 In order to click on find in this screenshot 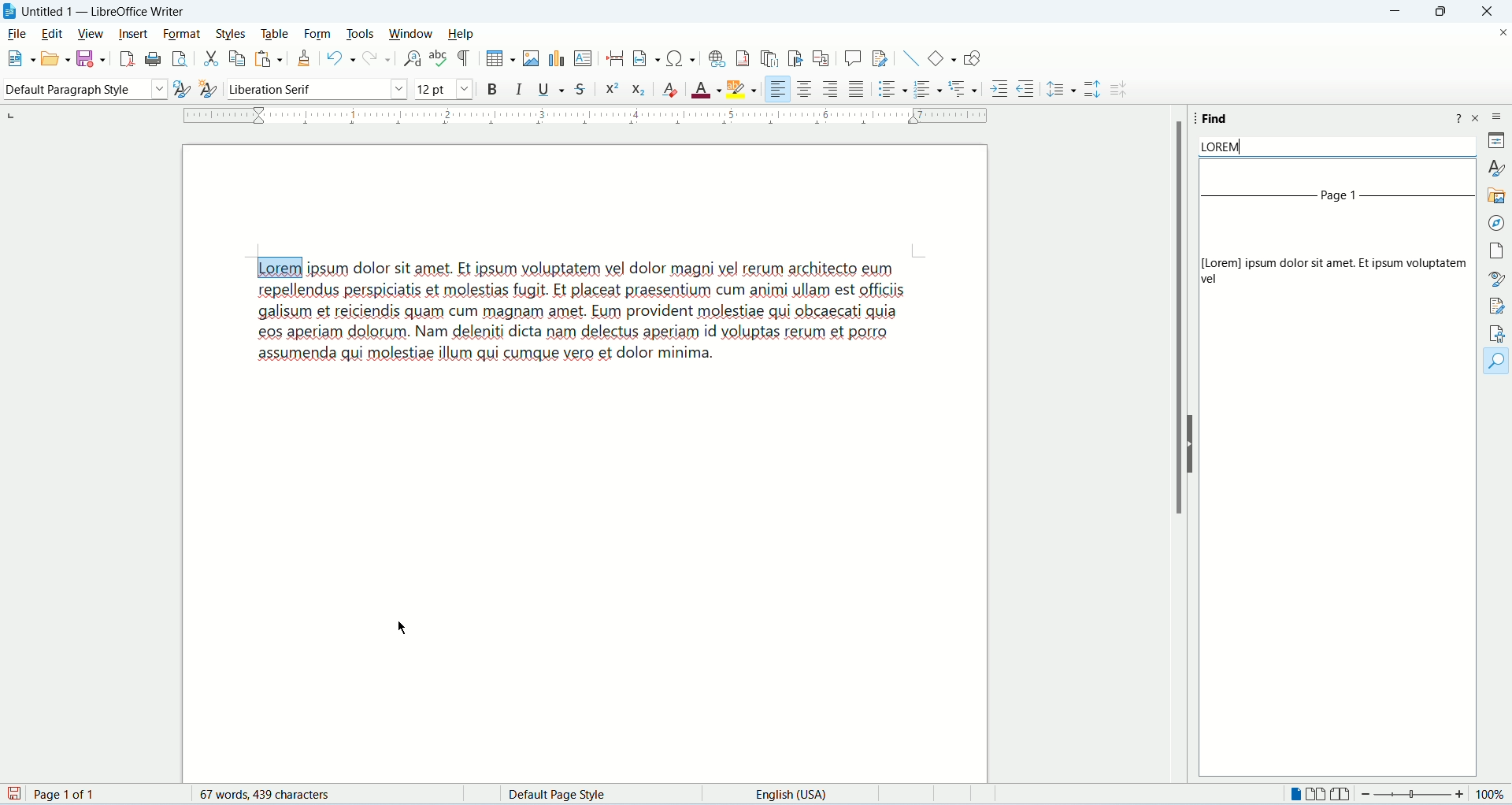, I will do `click(1498, 362)`.